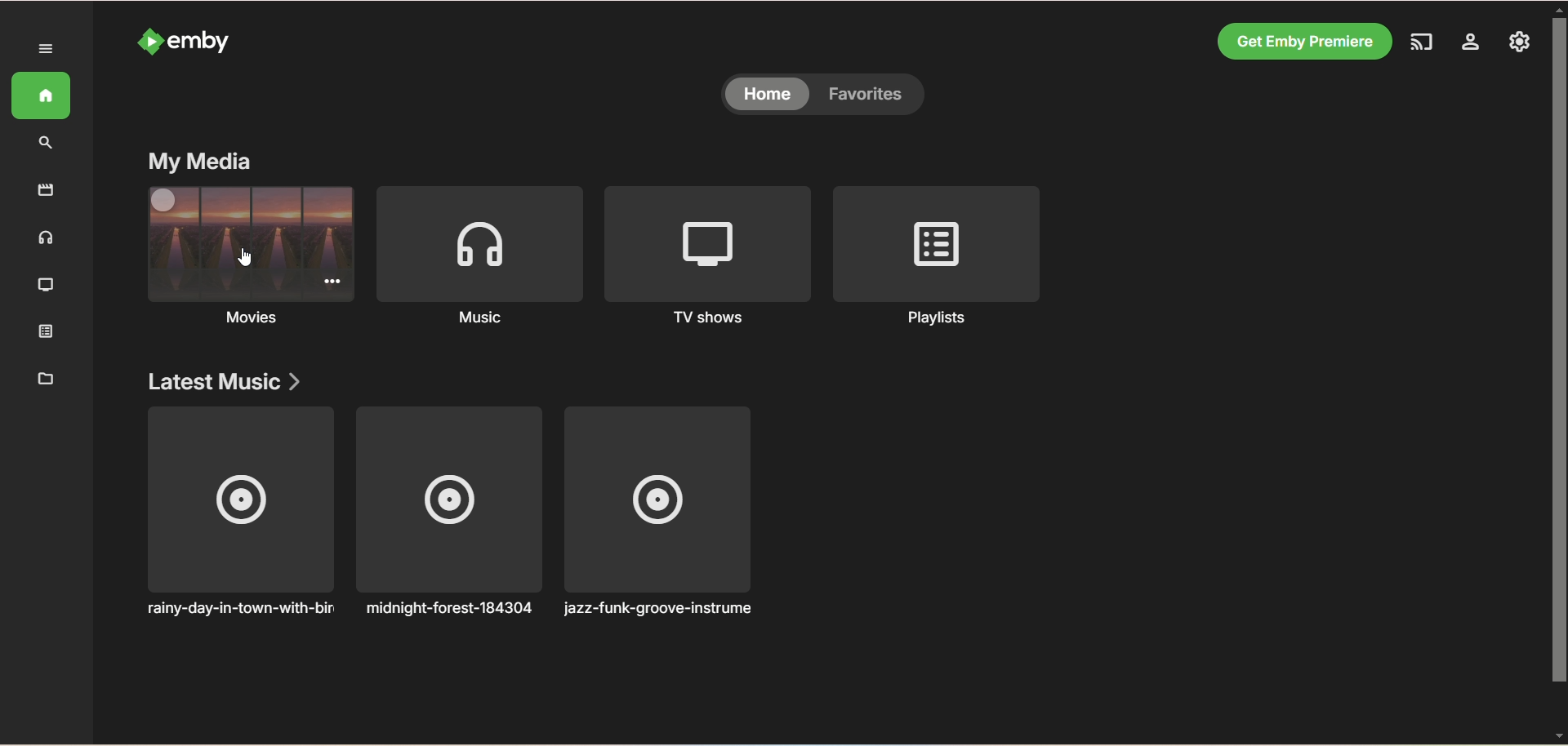 This screenshot has width=1568, height=746. What do you see at coordinates (705, 240) in the screenshot?
I see `TV shows` at bounding box center [705, 240].